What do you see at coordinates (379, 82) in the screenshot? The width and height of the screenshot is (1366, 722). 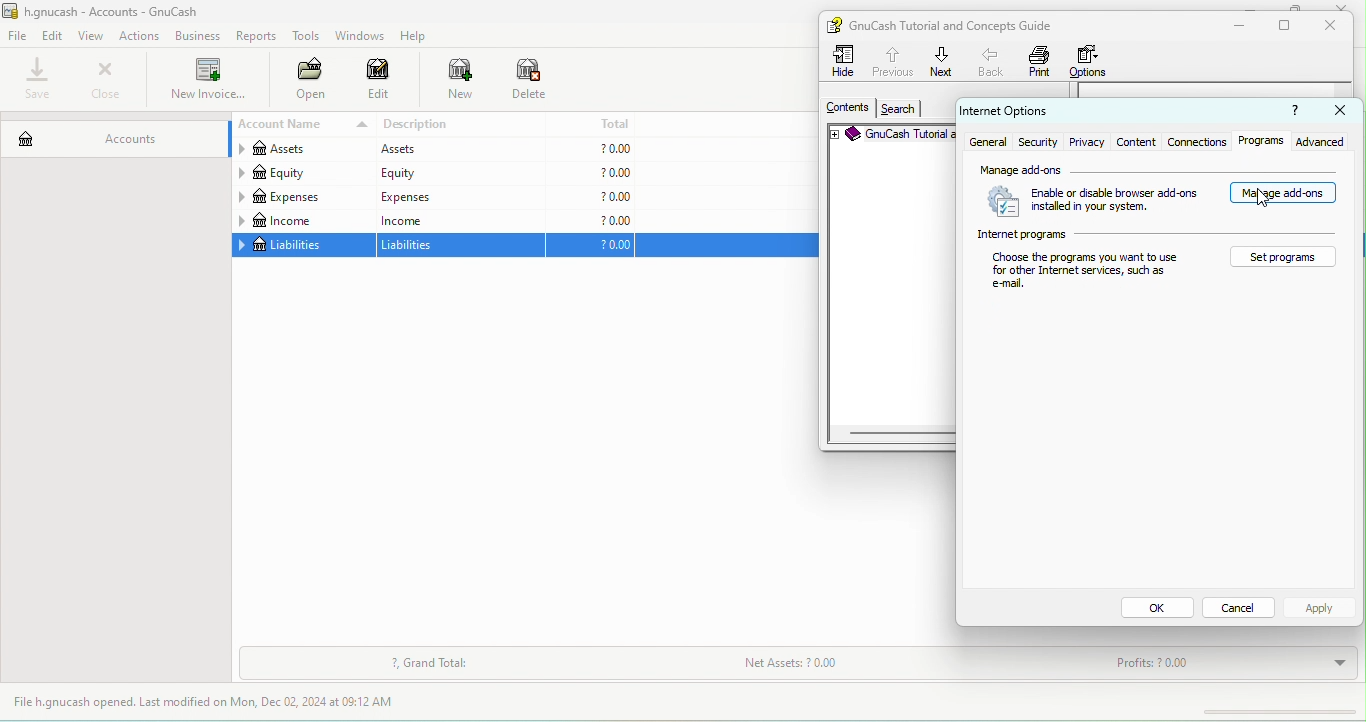 I see `edit` at bounding box center [379, 82].